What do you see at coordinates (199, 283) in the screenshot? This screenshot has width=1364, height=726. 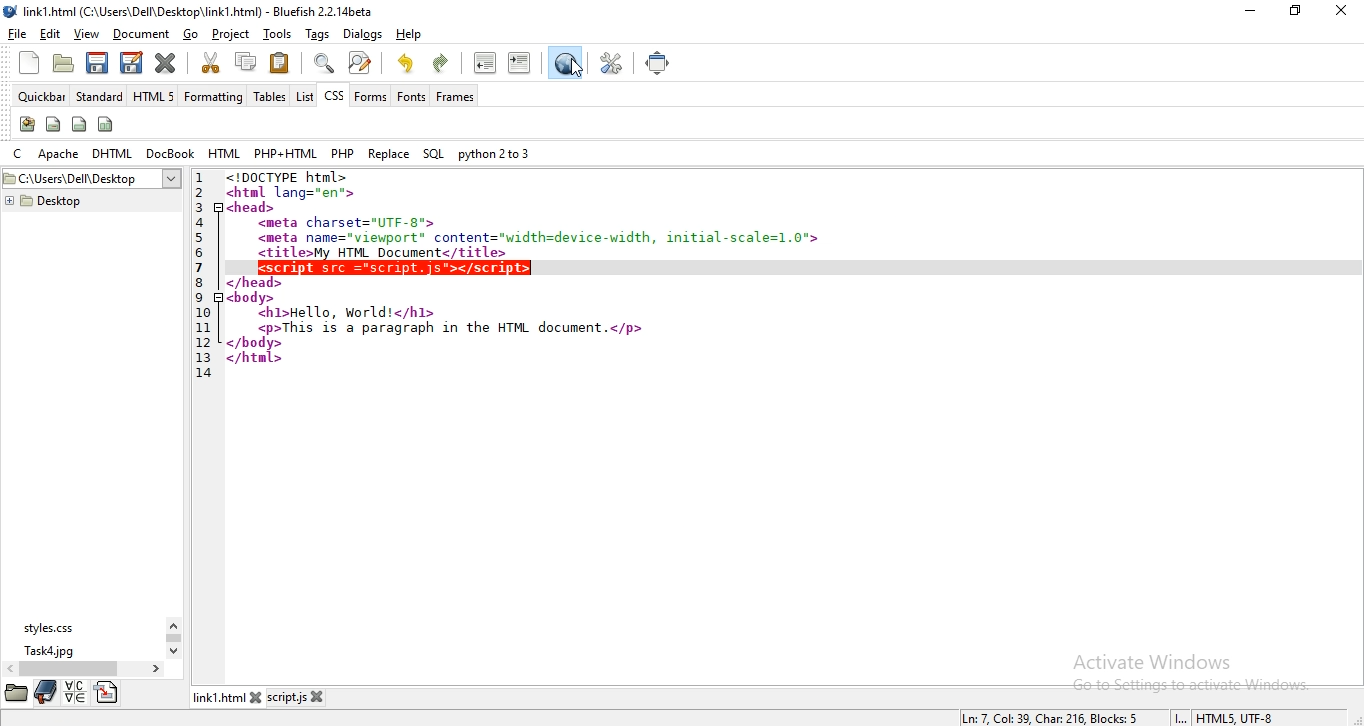 I see `8` at bounding box center [199, 283].